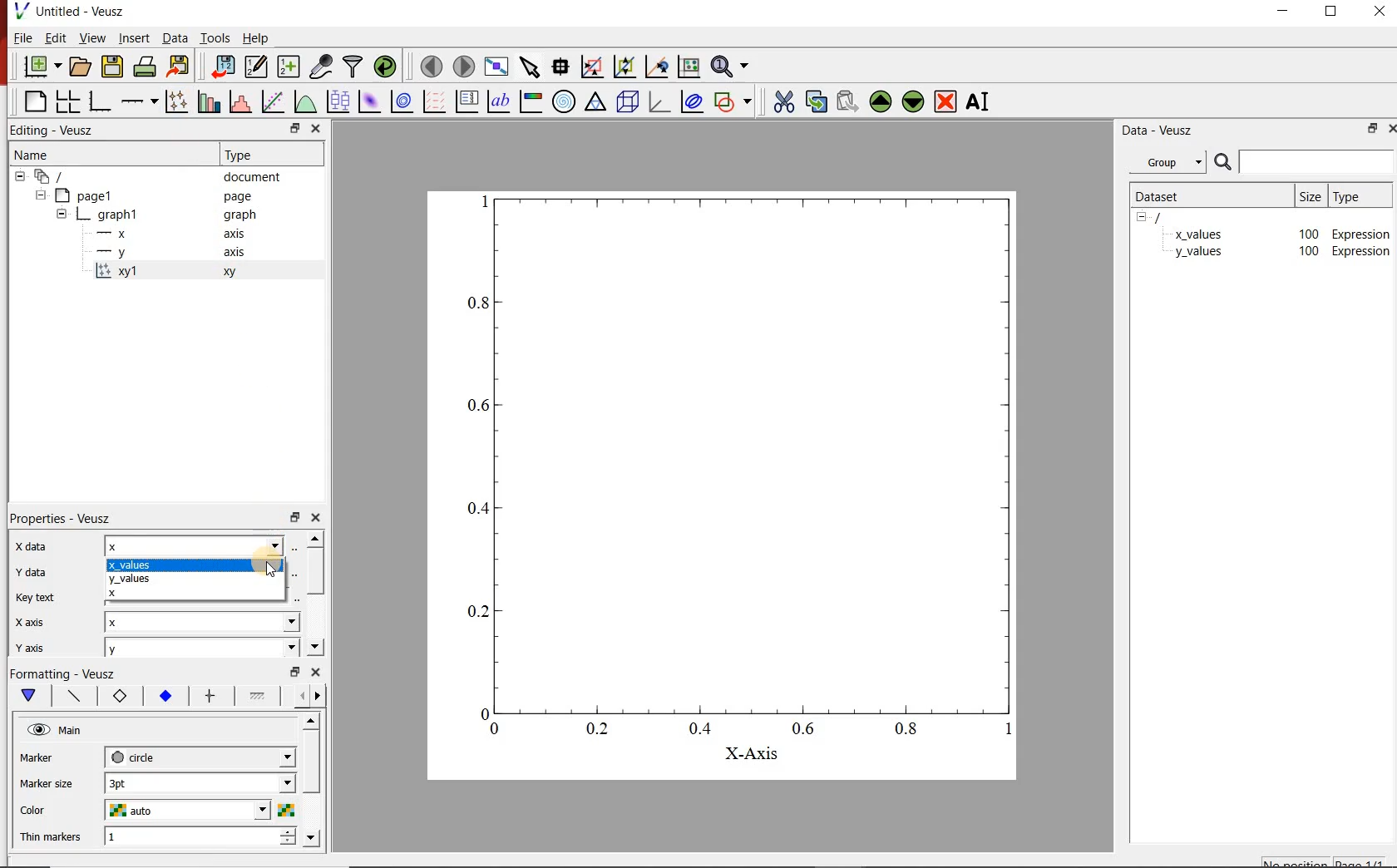 The width and height of the screenshot is (1397, 868). Describe the element at coordinates (51, 837) in the screenshot. I see `Thin markers` at that location.